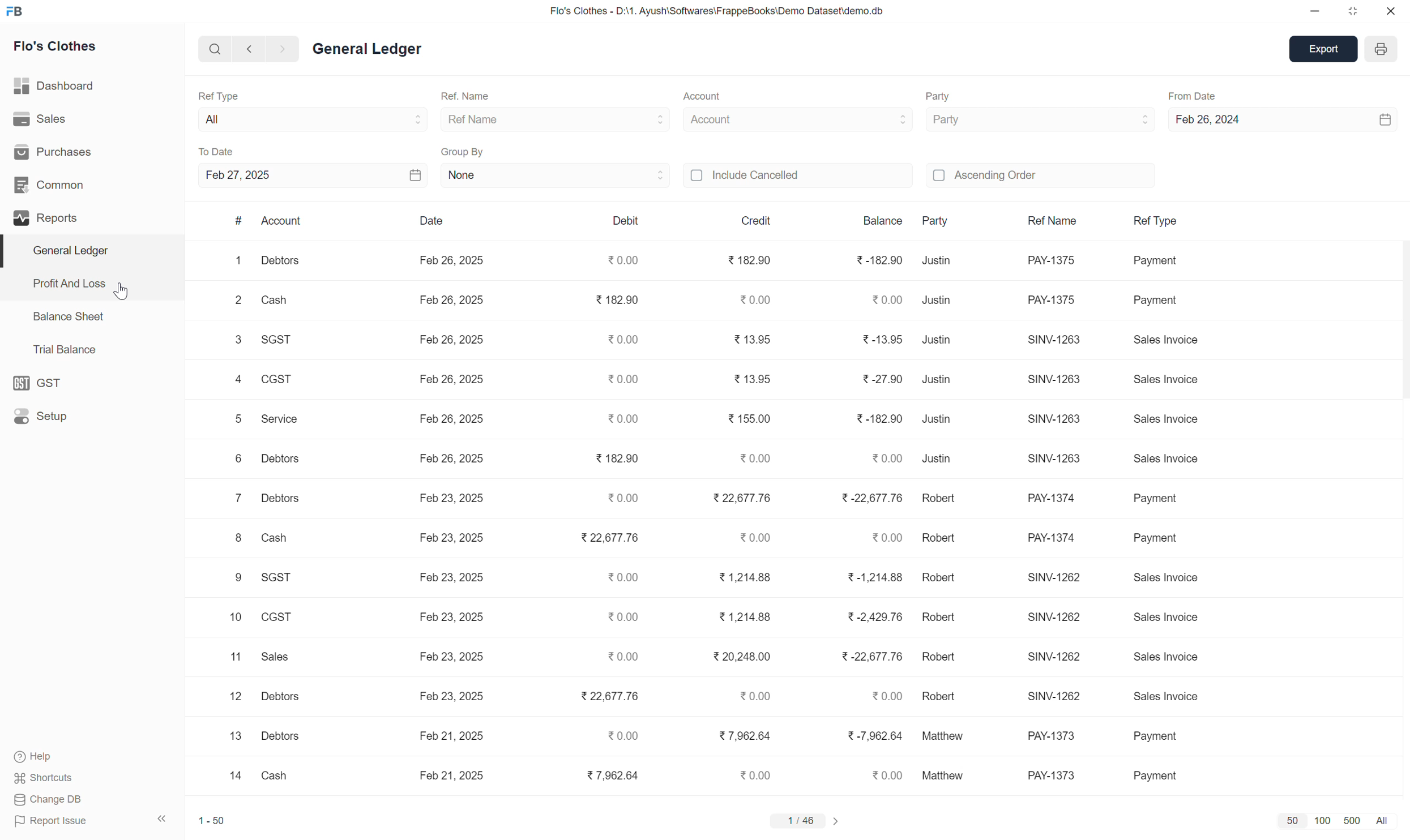 The image size is (1410, 840). What do you see at coordinates (1348, 819) in the screenshot?
I see `500` at bounding box center [1348, 819].